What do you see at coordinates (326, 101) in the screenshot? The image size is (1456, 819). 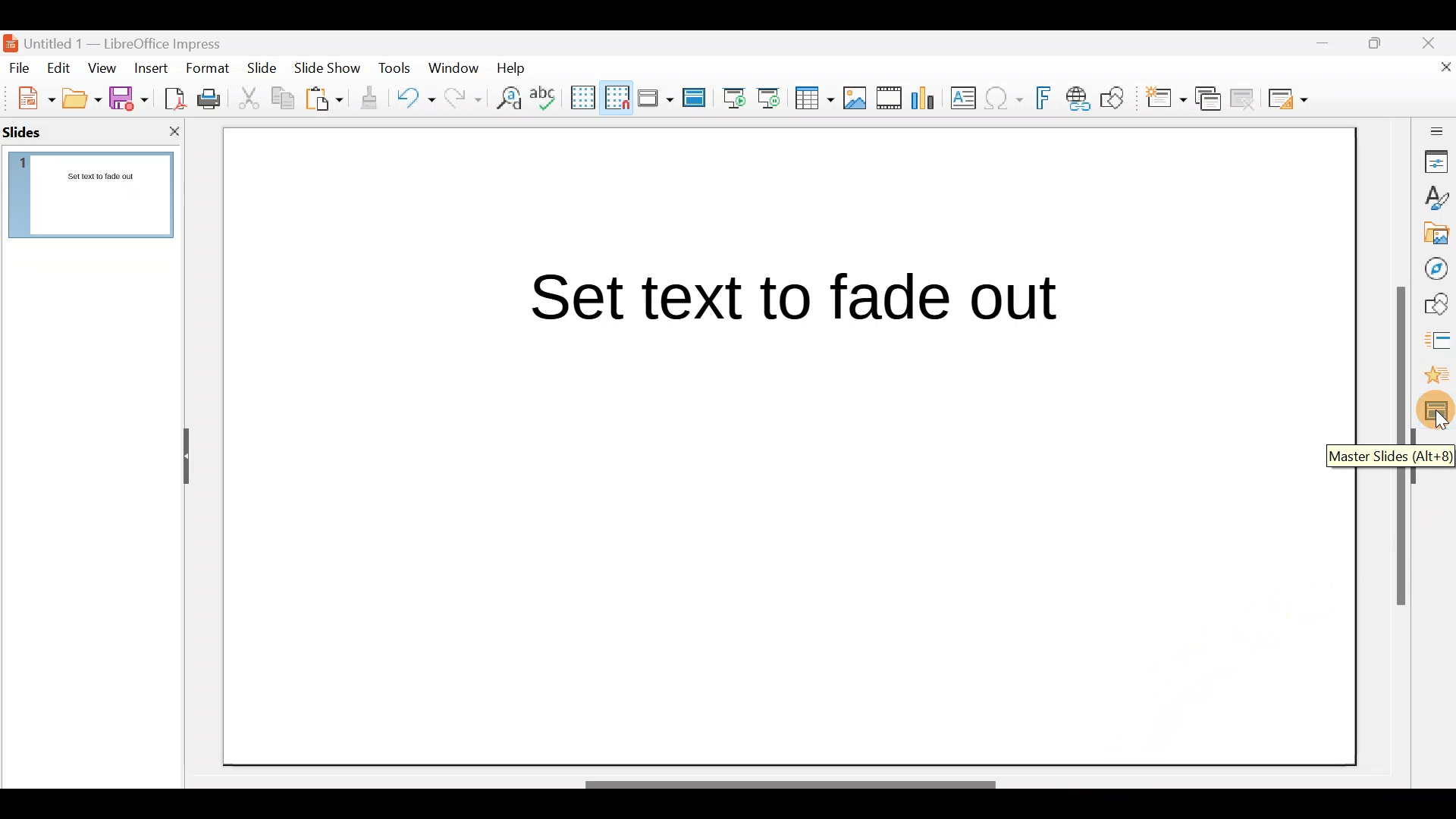 I see `Paste` at bounding box center [326, 101].